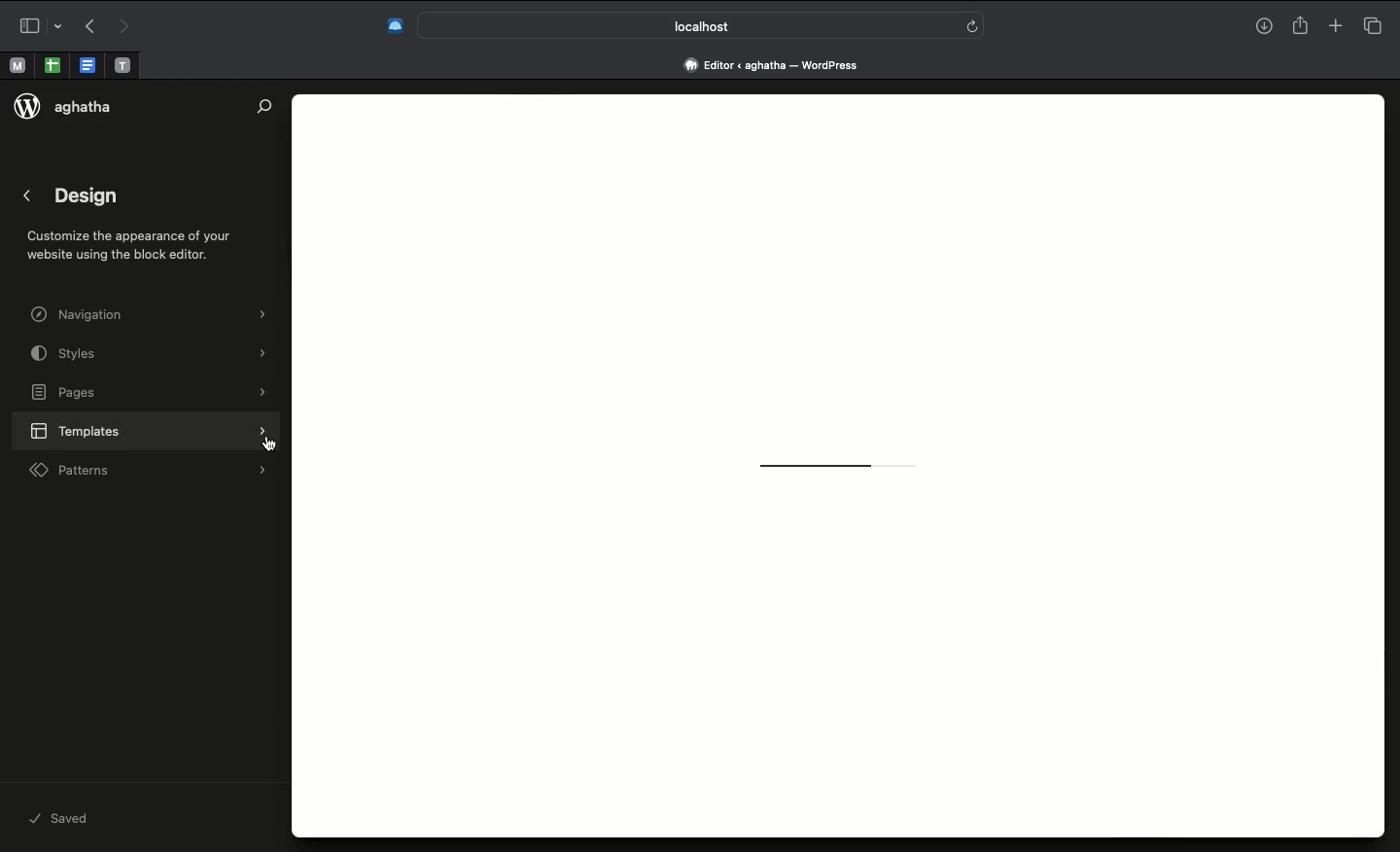  I want to click on Design, so click(131, 224).